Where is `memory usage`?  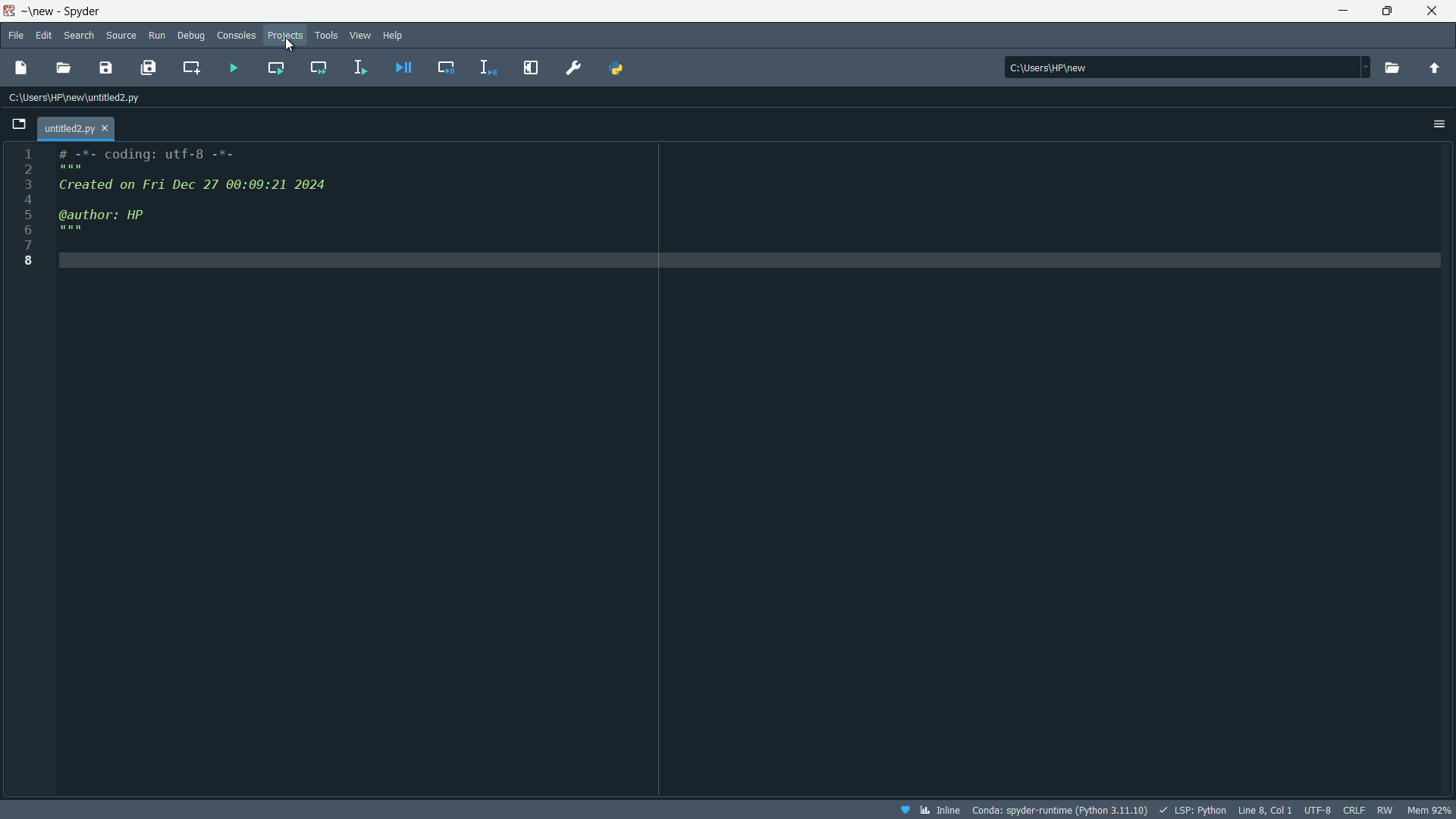
memory usage is located at coordinates (1431, 810).